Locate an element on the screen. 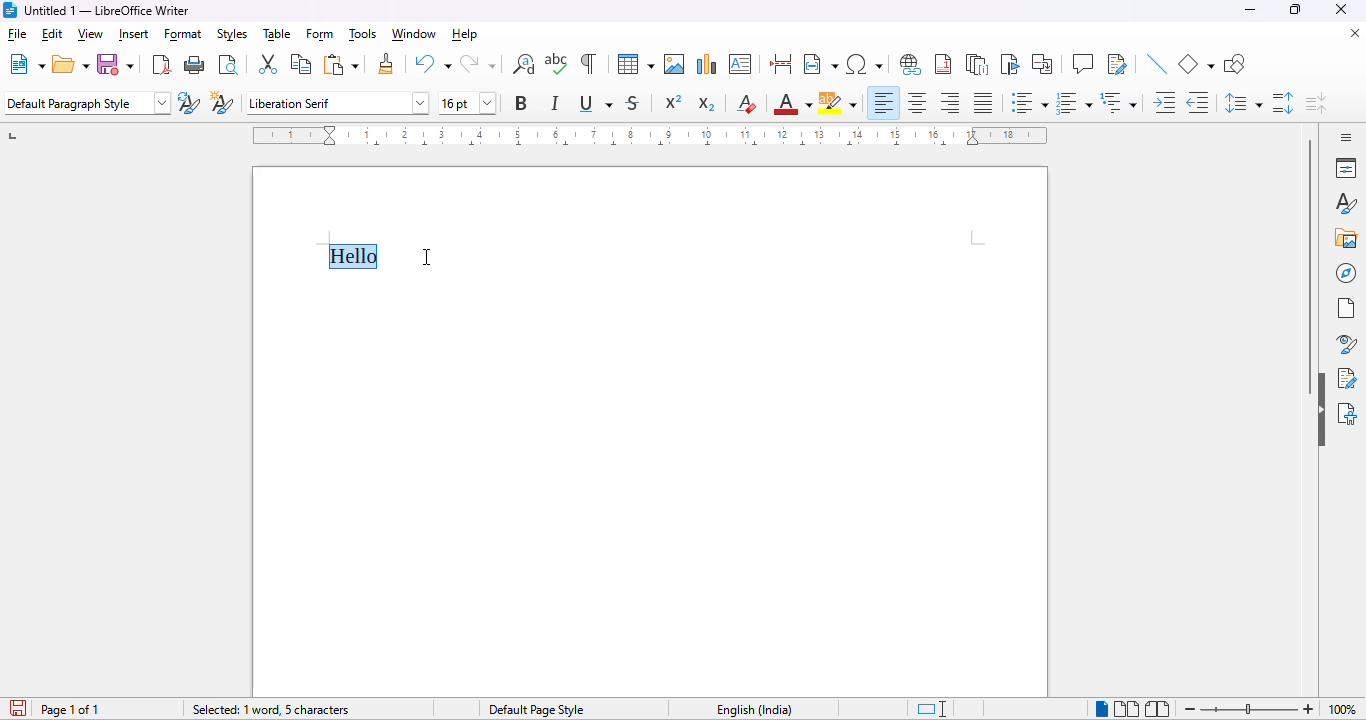  undo is located at coordinates (432, 64).